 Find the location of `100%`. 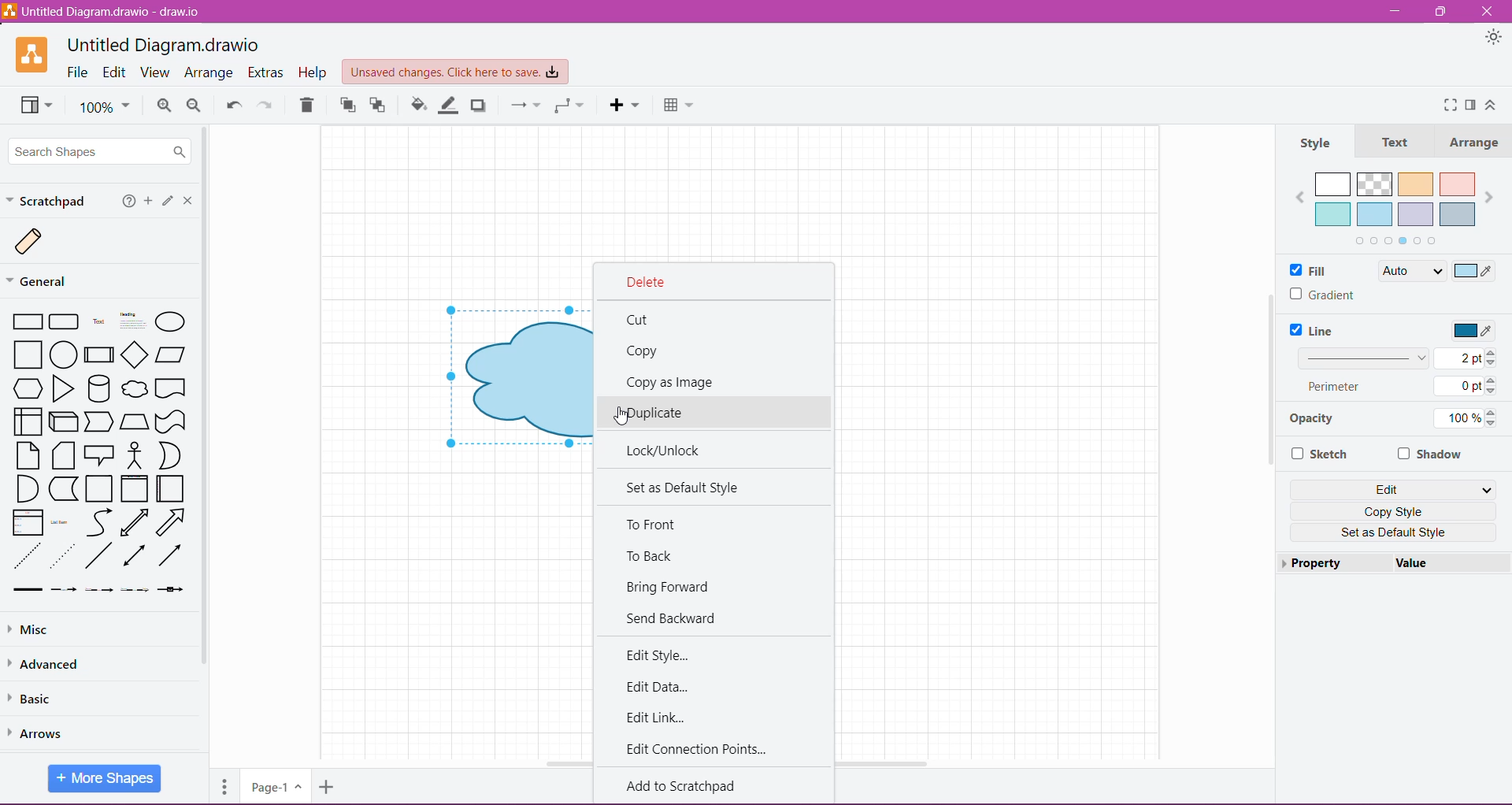

100% is located at coordinates (105, 108).